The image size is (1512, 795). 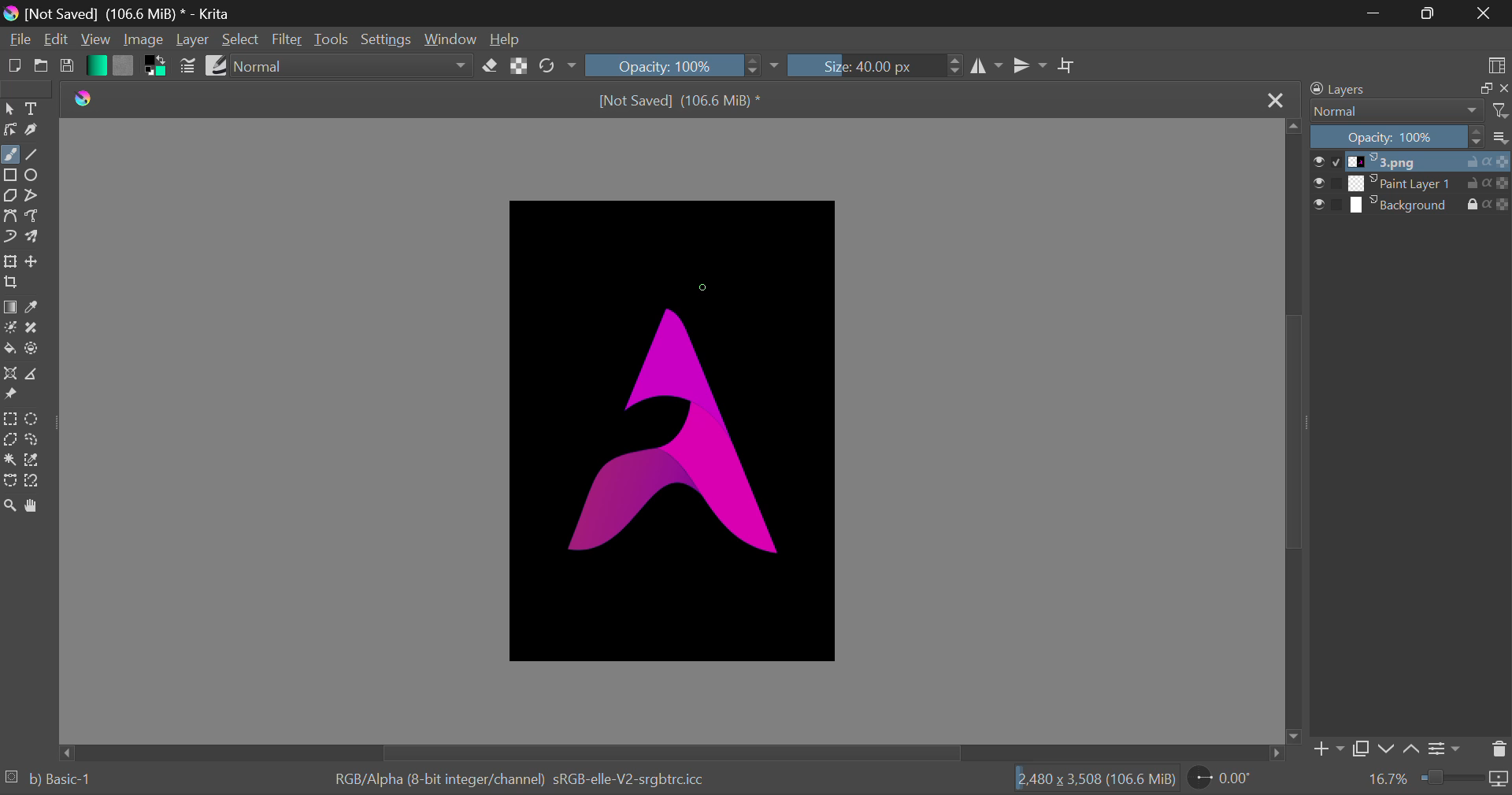 I want to click on Opacity 100%, so click(x=684, y=64).